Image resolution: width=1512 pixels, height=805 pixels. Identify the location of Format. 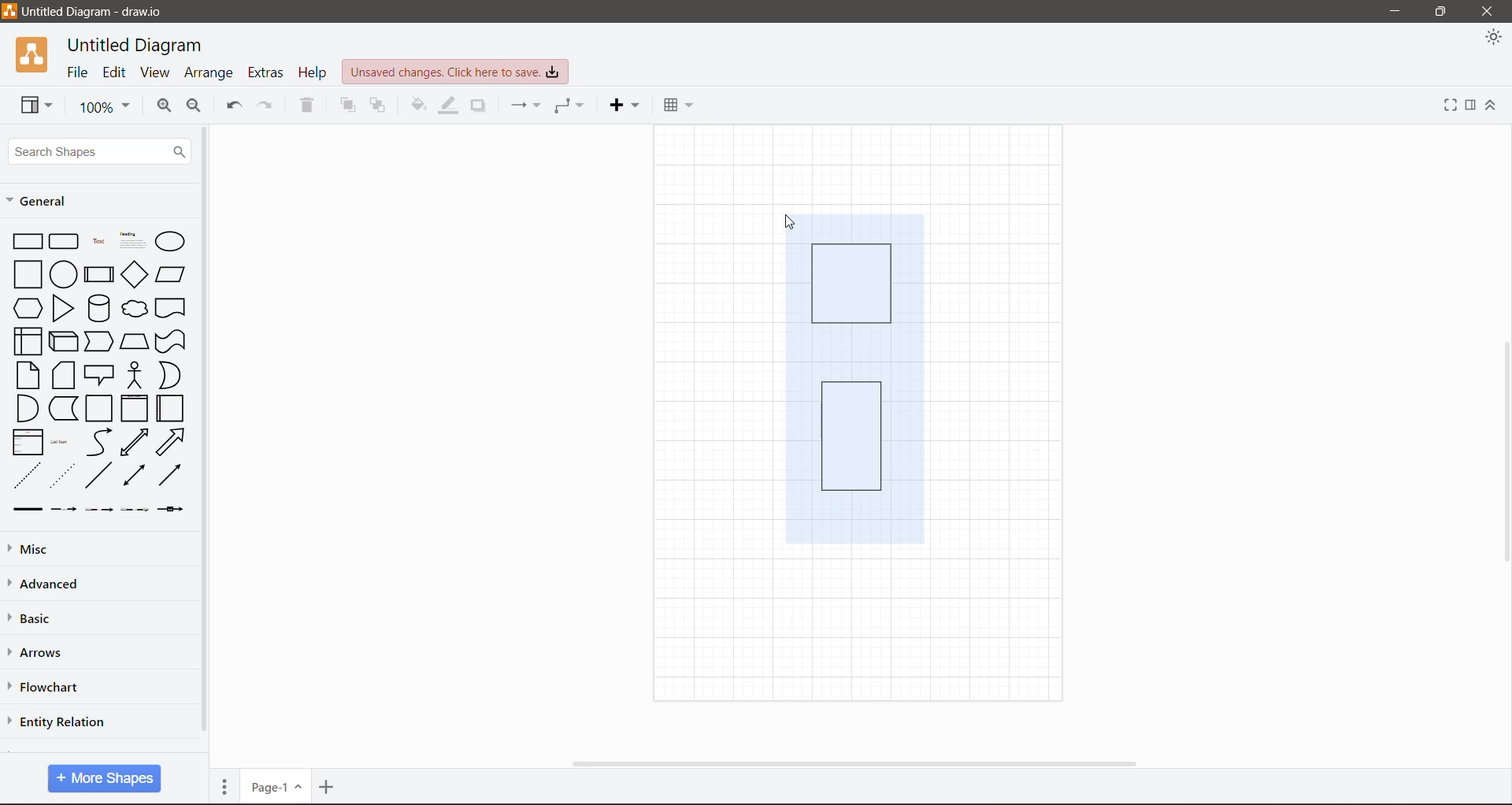
(1471, 106).